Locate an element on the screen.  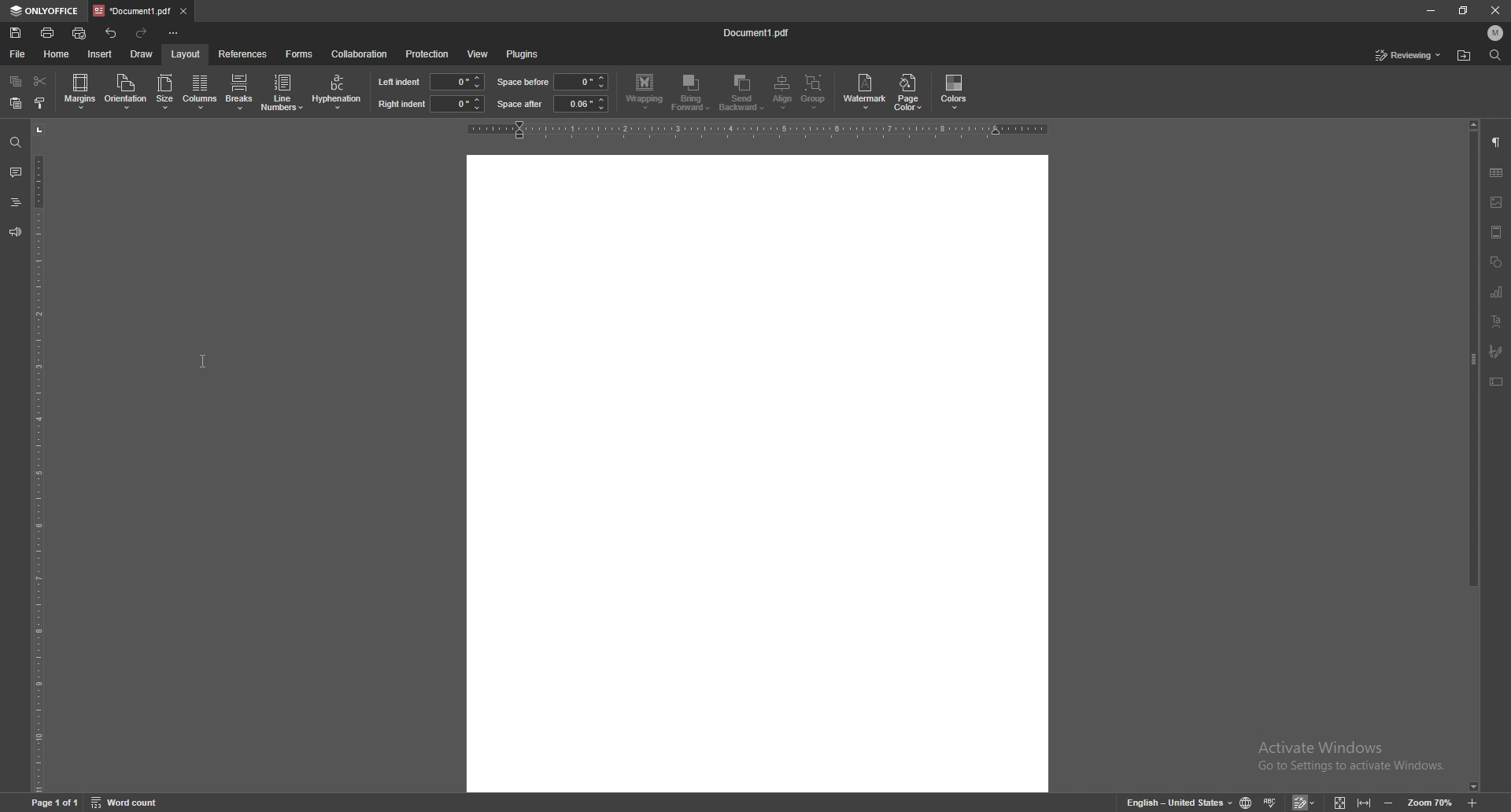
locate file is located at coordinates (1464, 57).